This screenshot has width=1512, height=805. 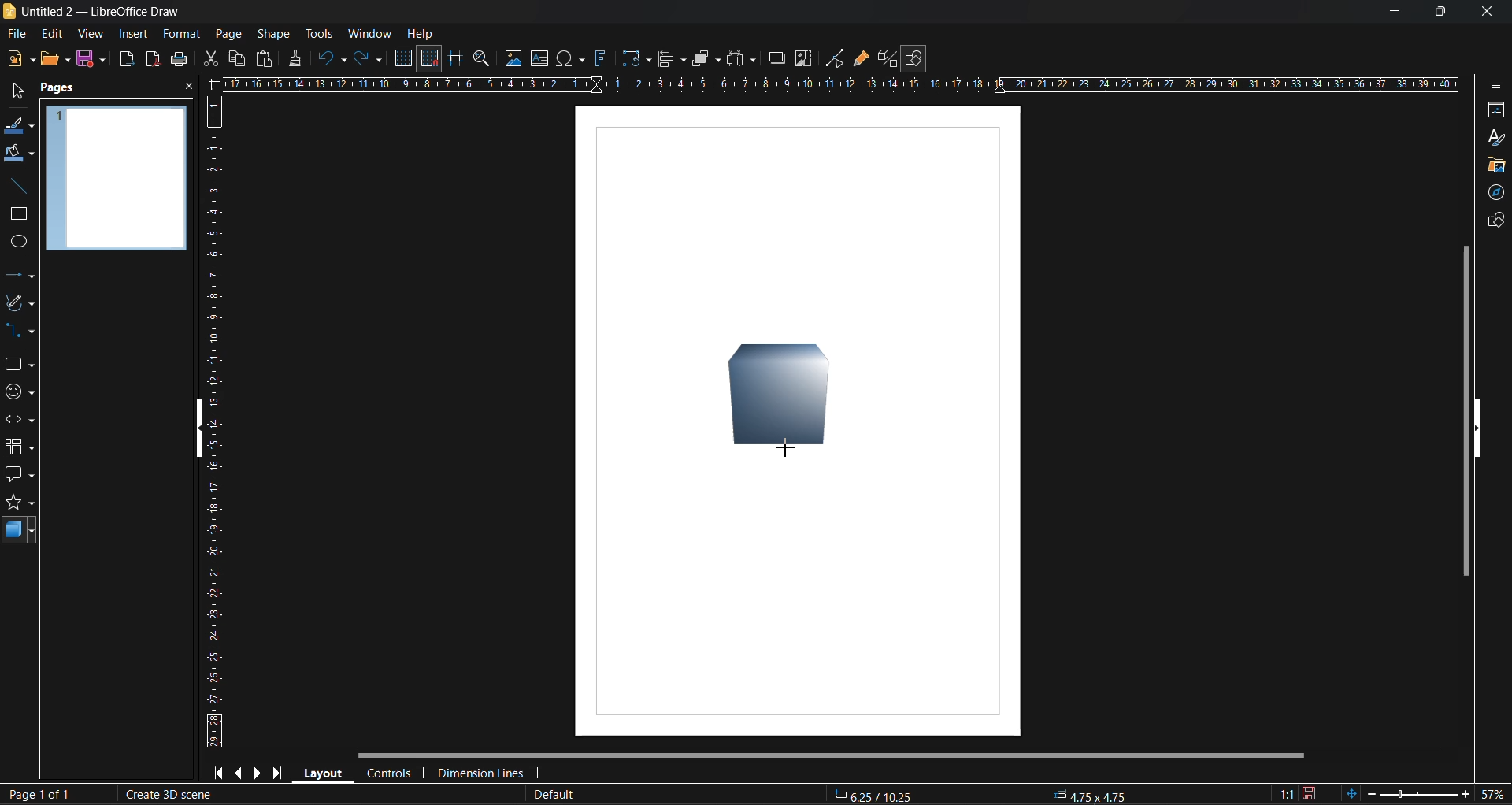 What do you see at coordinates (837, 57) in the screenshot?
I see `toggle point edit mode` at bounding box center [837, 57].